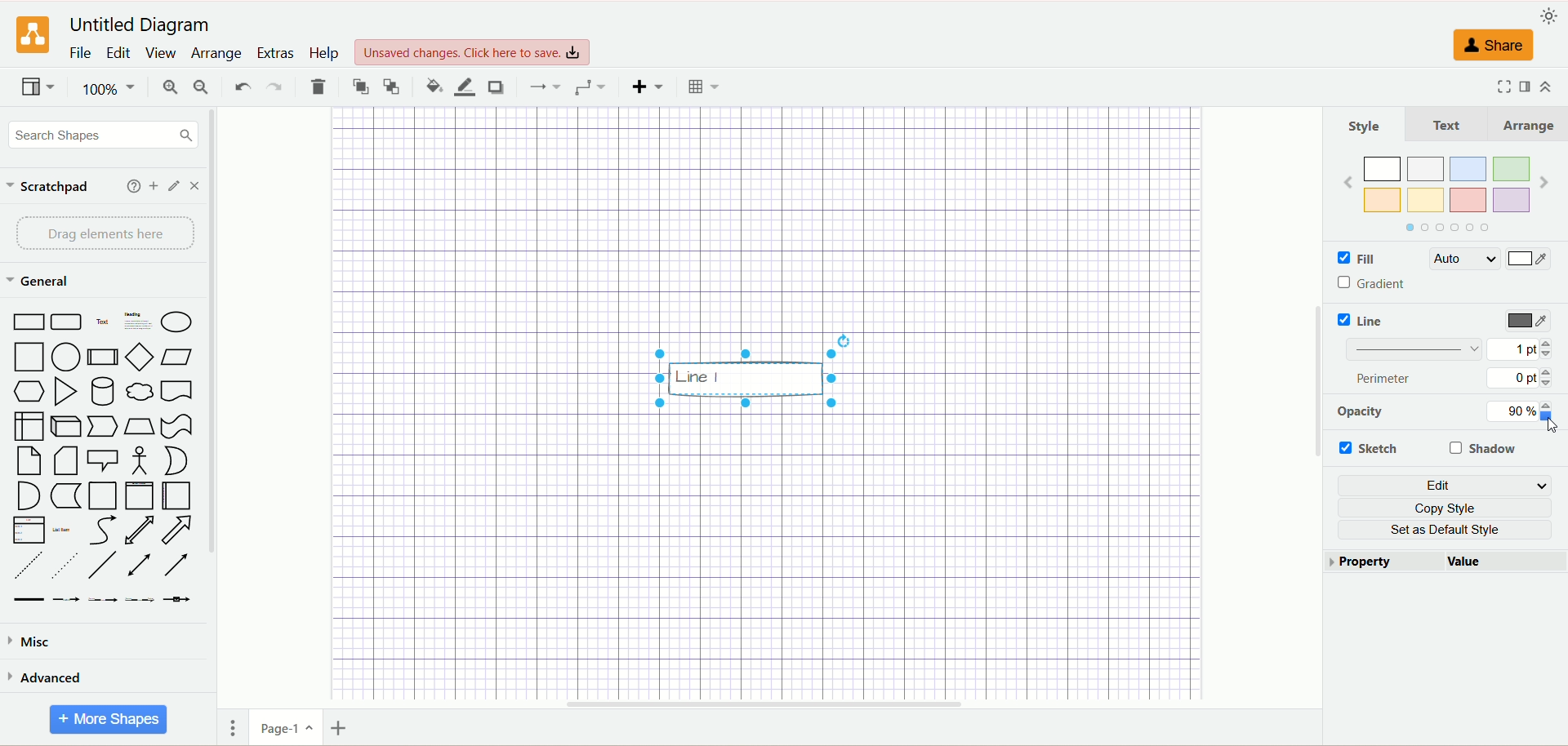 The image size is (1568, 746). What do you see at coordinates (29, 601) in the screenshot?
I see `Link` at bounding box center [29, 601].